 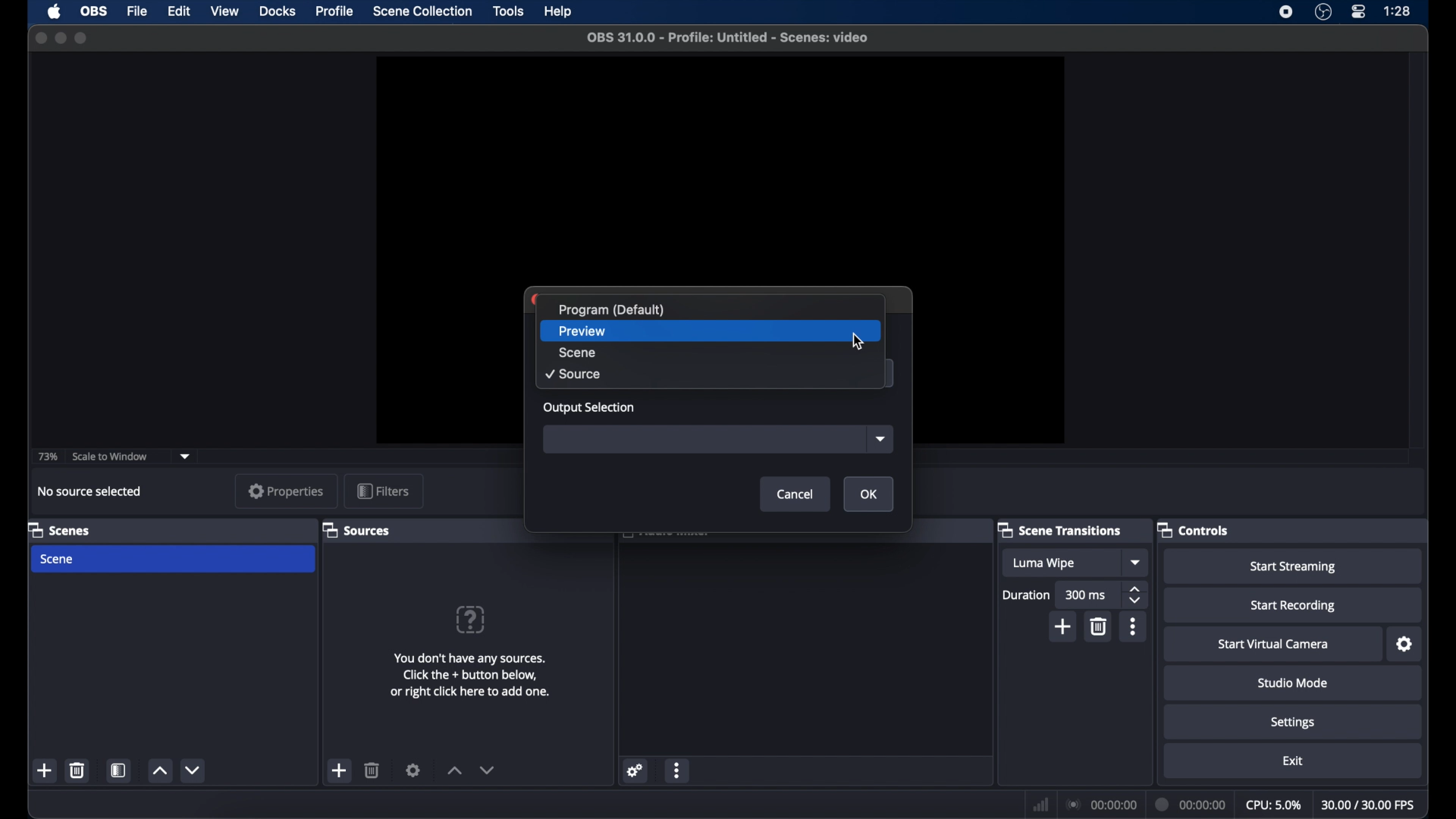 What do you see at coordinates (60, 38) in the screenshot?
I see `minimize` at bounding box center [60, 38].